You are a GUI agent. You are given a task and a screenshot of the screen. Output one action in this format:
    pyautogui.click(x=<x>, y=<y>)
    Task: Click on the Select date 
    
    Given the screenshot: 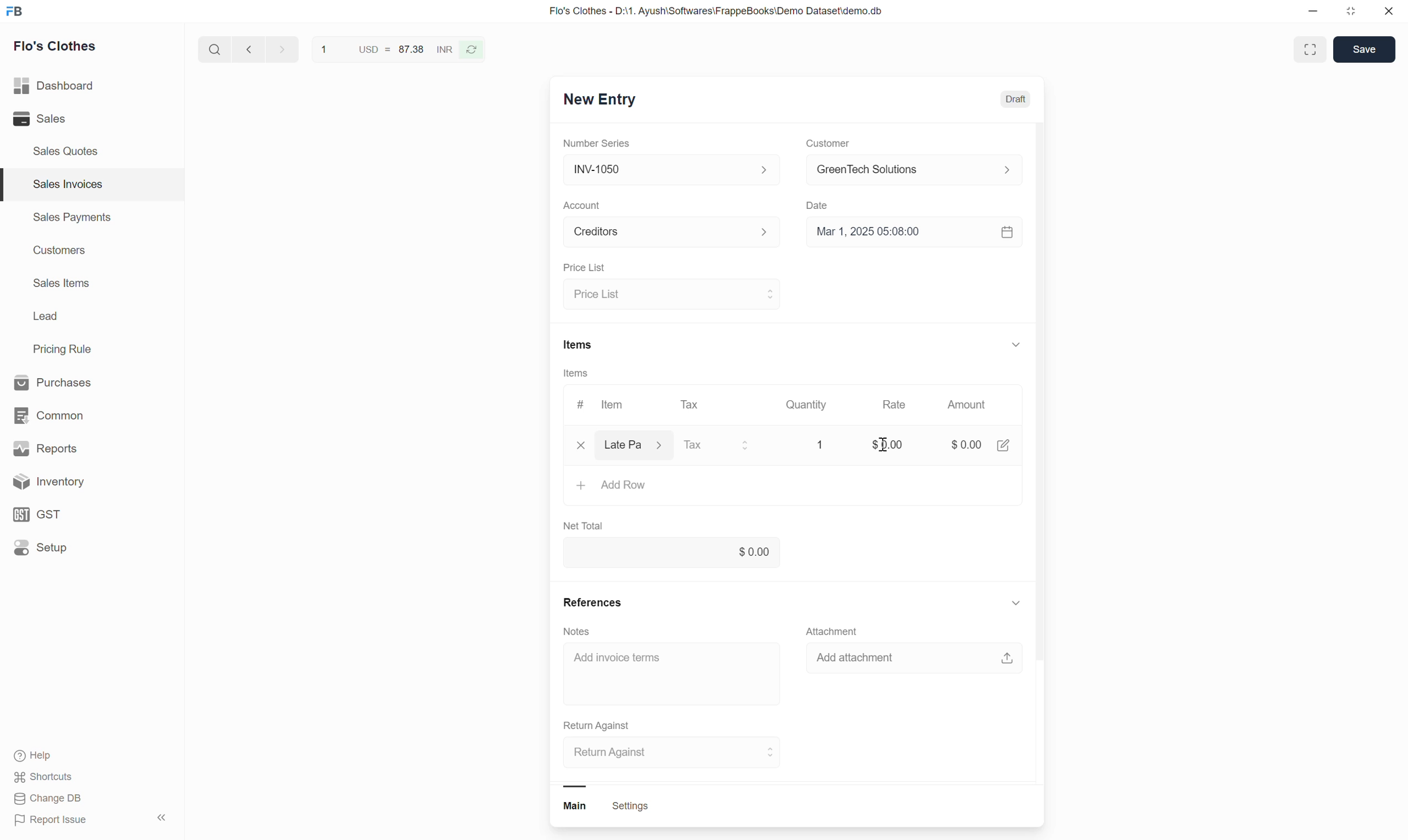 What is the action you would take?
    pyautogui.click(x=914, y=236)
    